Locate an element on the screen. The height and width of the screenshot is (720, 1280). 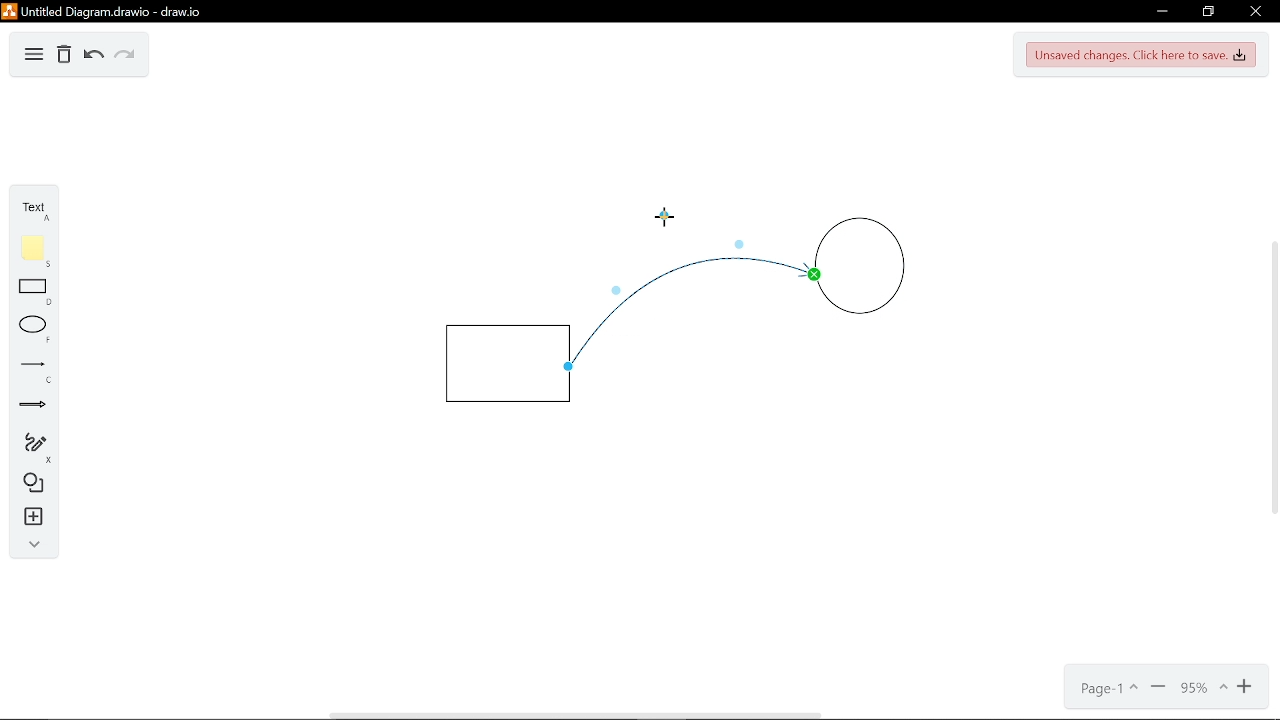
Current zoom is located at coordinates (1202, 688).